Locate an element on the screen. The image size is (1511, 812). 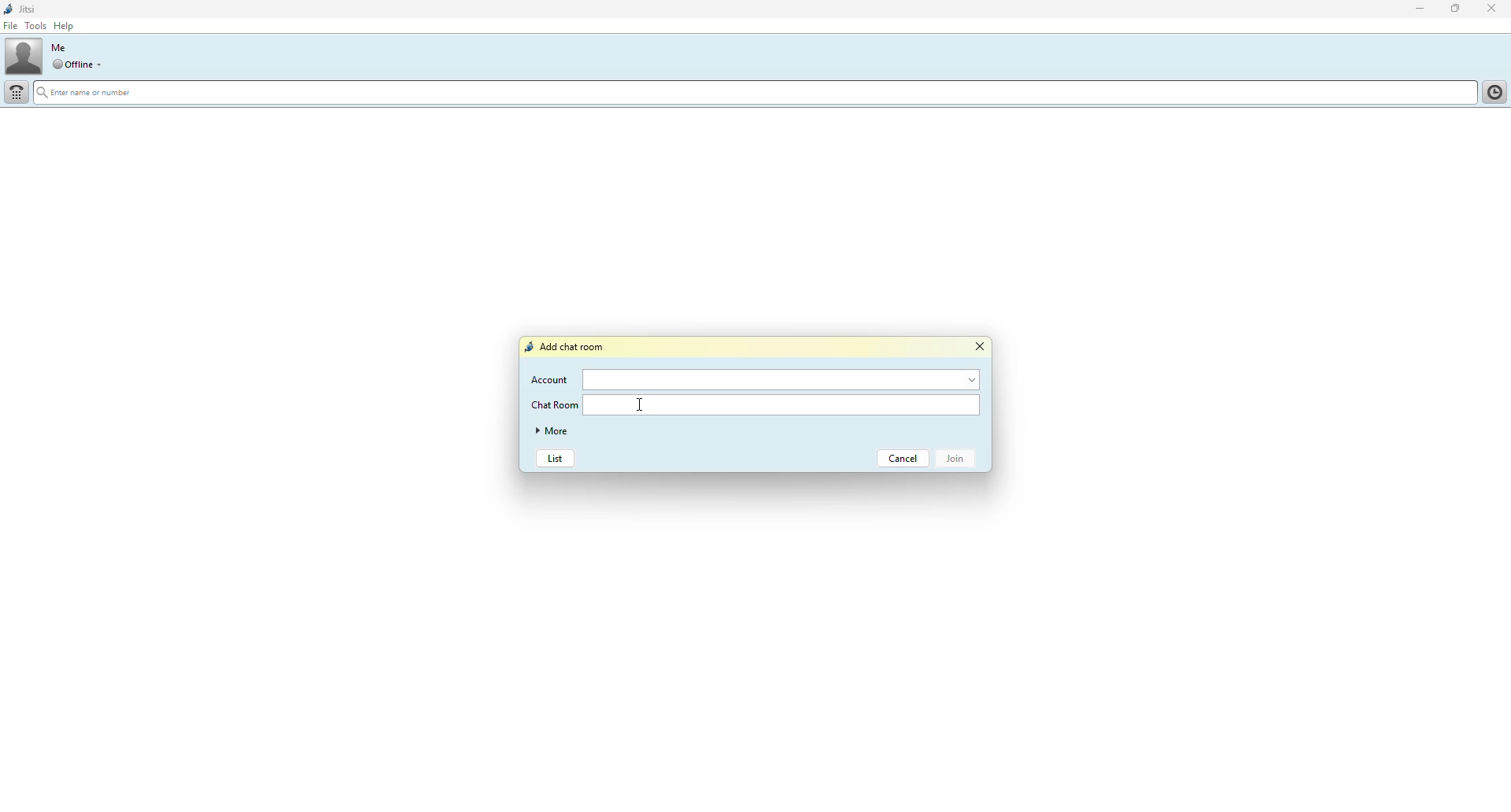
cancel is located at coordinates (905, 458).